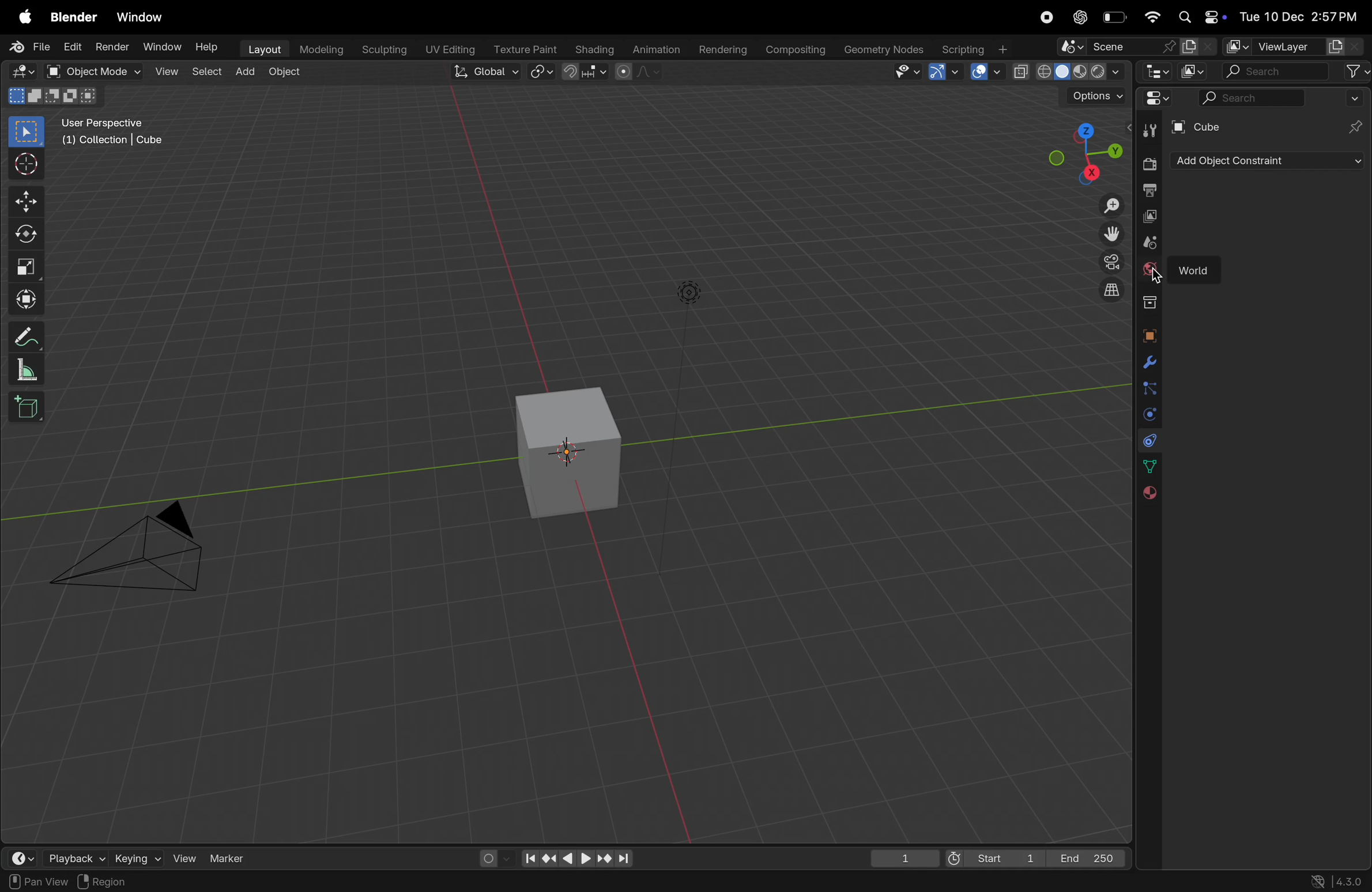 Image resolution: width=1372 pixels, height=892 pixels. What do you see at coordinates (1201, 16) in the screenshot?
I see `Apple widgets` at bounding box center [1201, 16].